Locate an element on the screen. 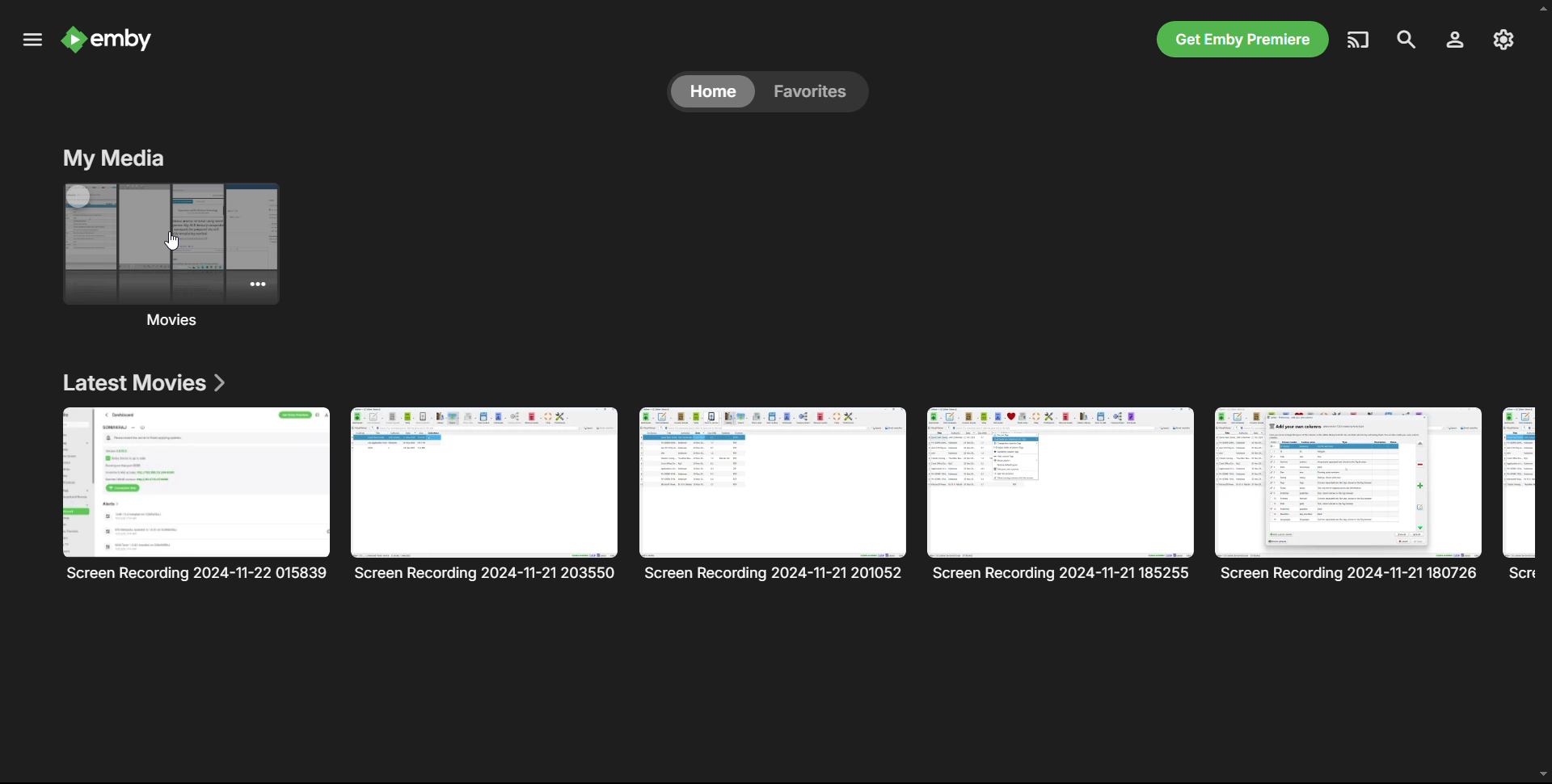 This screenshot has height=784, width=1552. play on another device is located at coordinates (1360, 39).